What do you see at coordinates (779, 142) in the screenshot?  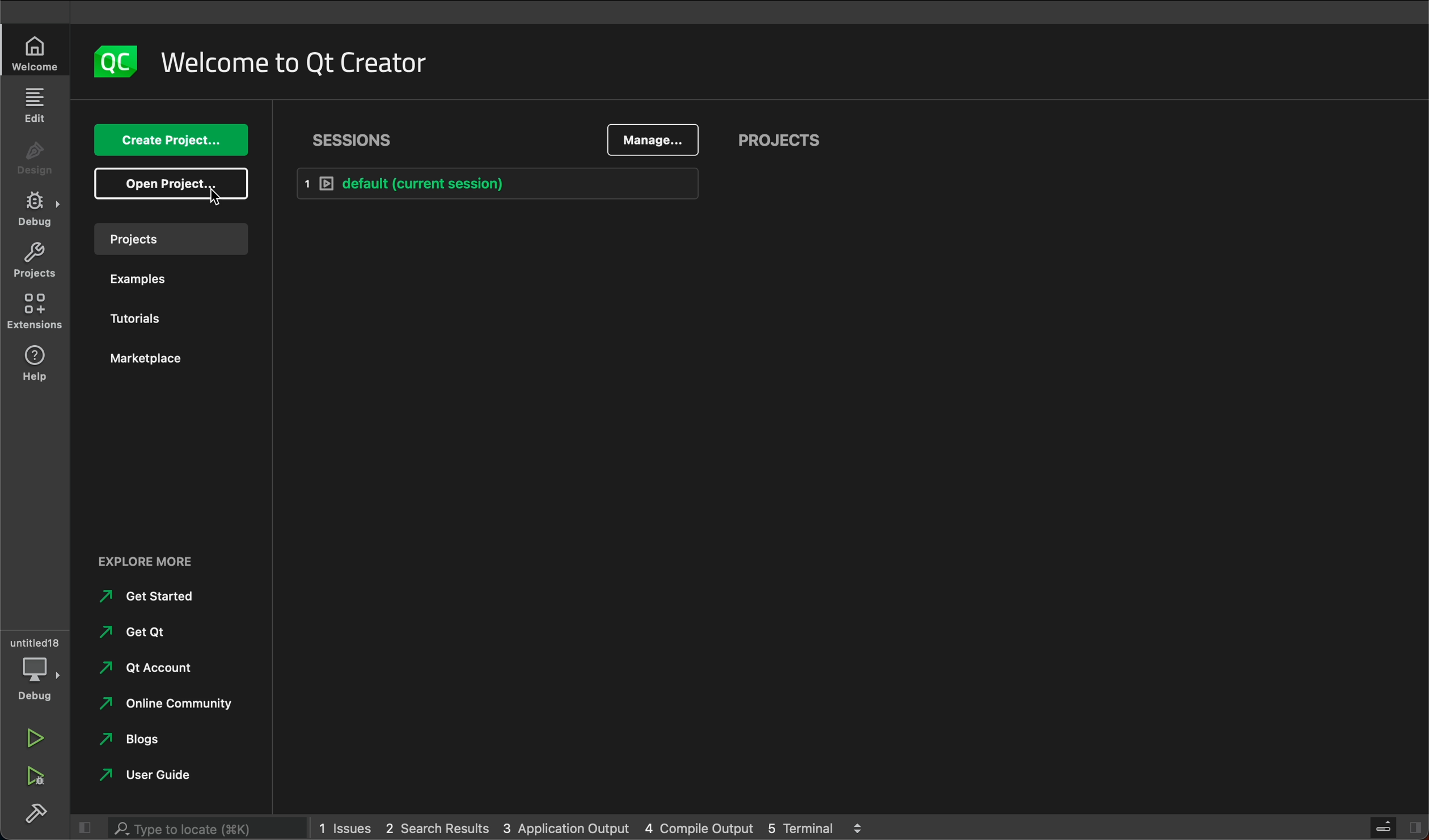 I see `projects` at bounding box center [779, 142].